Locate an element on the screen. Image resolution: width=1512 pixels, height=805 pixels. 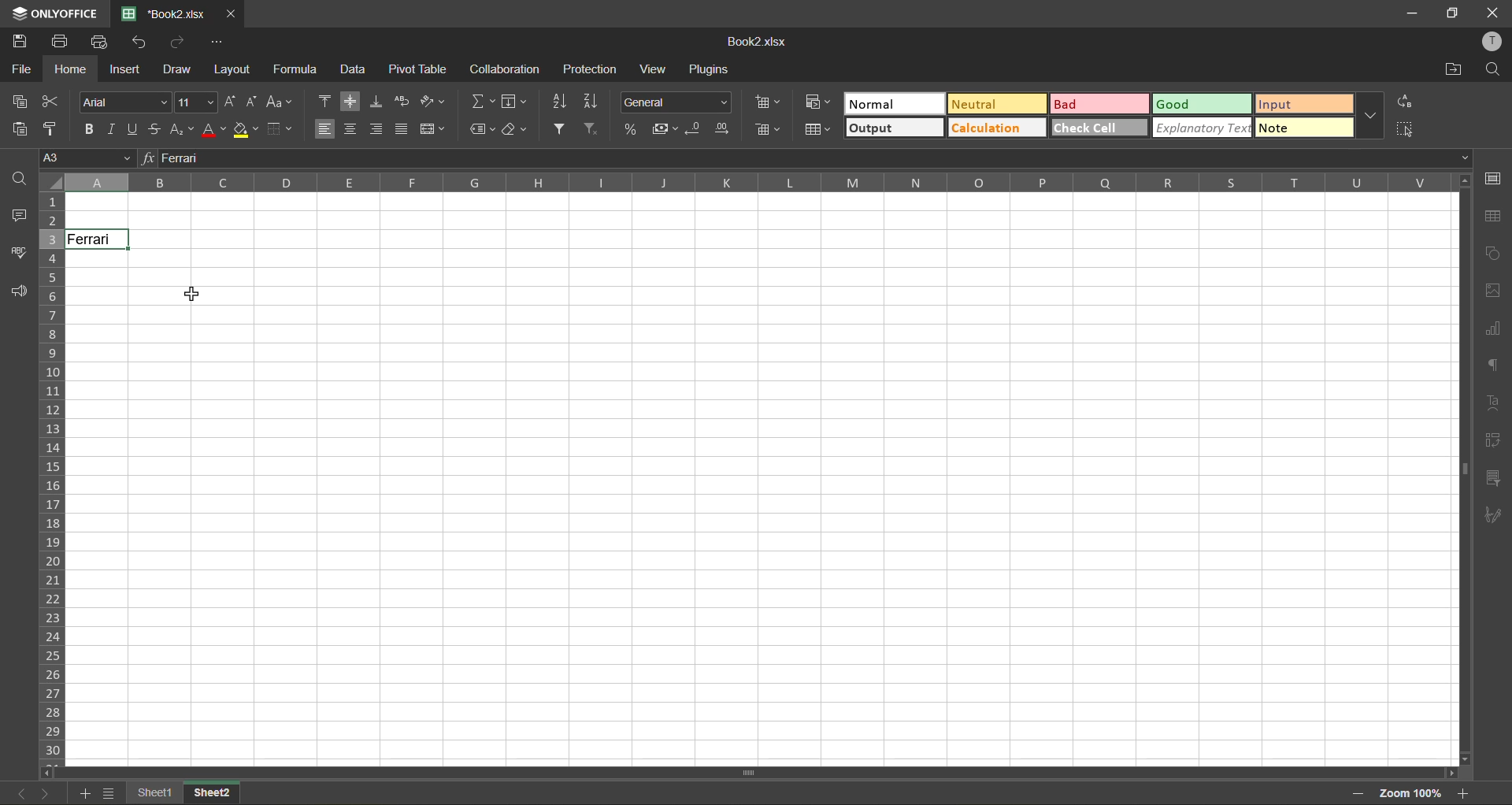
more options is located at coordinates (1371, 116).